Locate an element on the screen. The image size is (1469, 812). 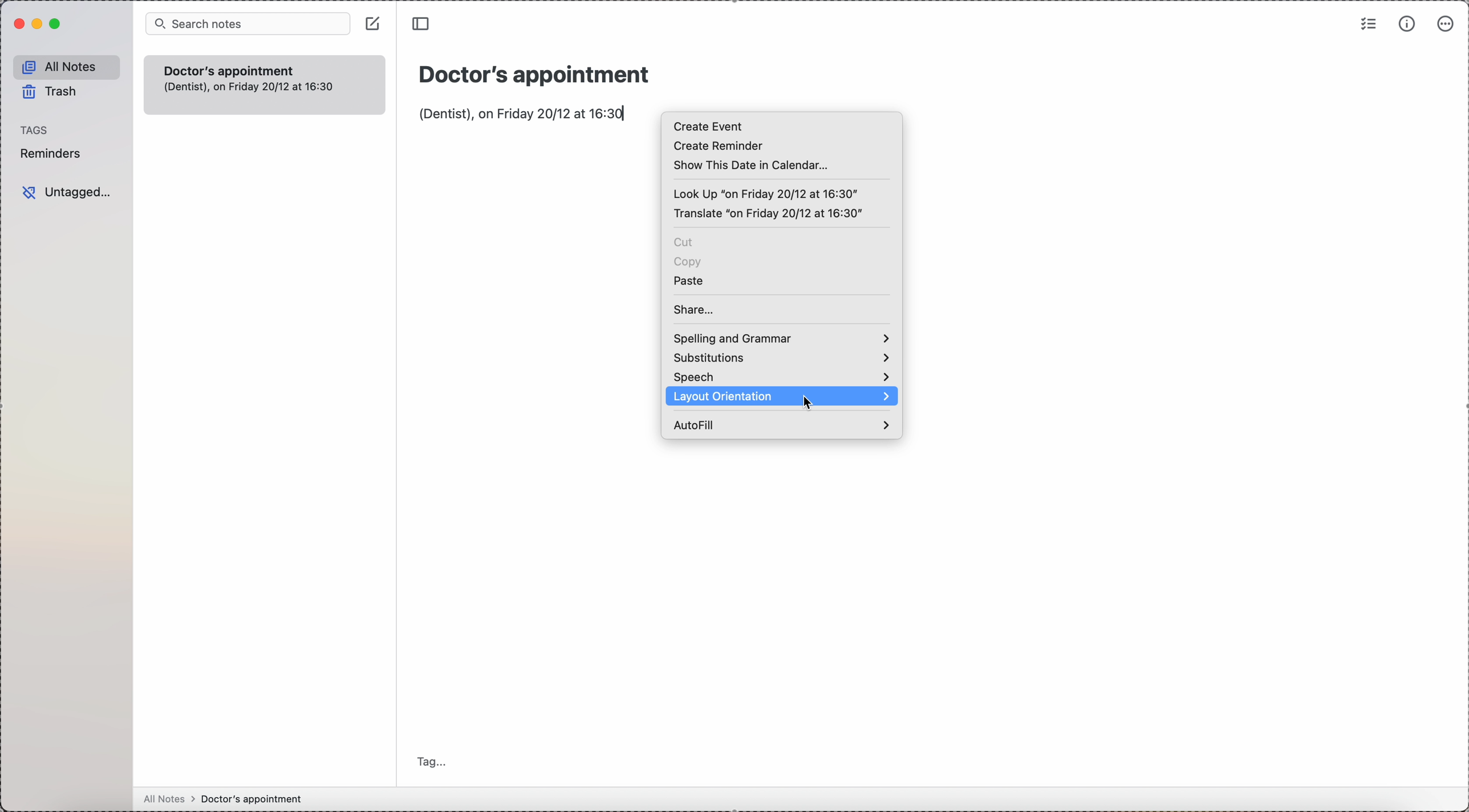
body text: dentist on friday 20/12 at 16:30 is located at coordinates (521, 113).